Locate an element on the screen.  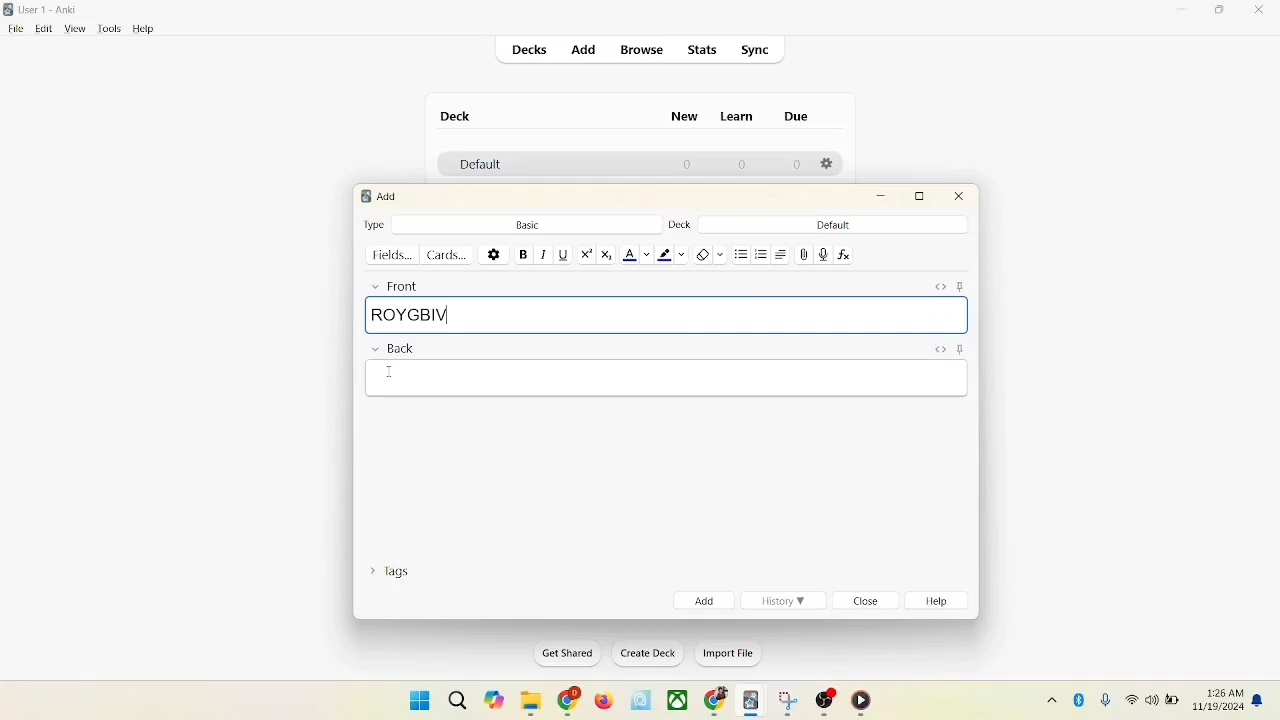
unordered list is located at coordinates (741, 252).